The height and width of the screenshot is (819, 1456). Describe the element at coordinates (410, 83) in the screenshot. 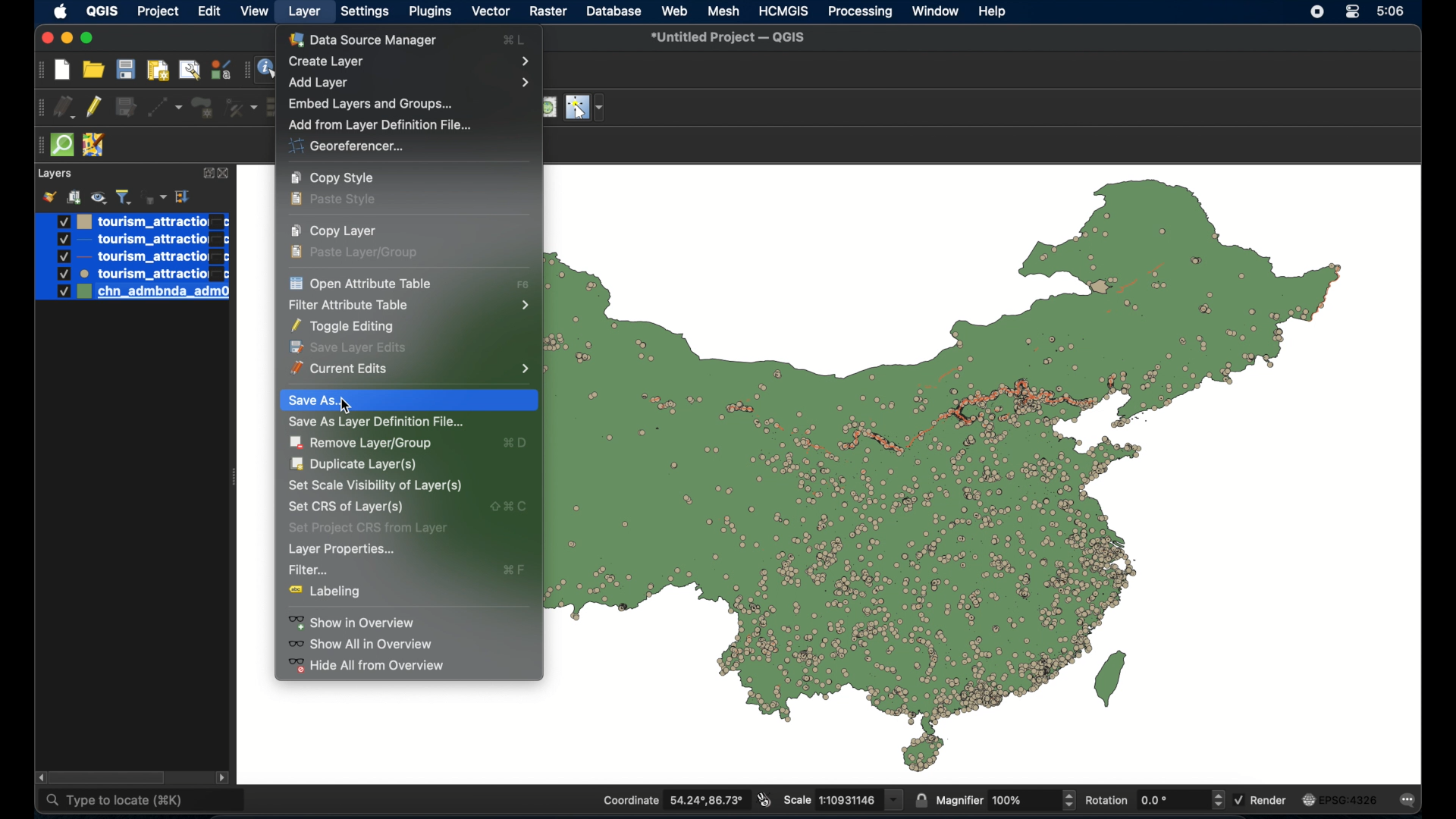

I see `add layer menu` at that location.